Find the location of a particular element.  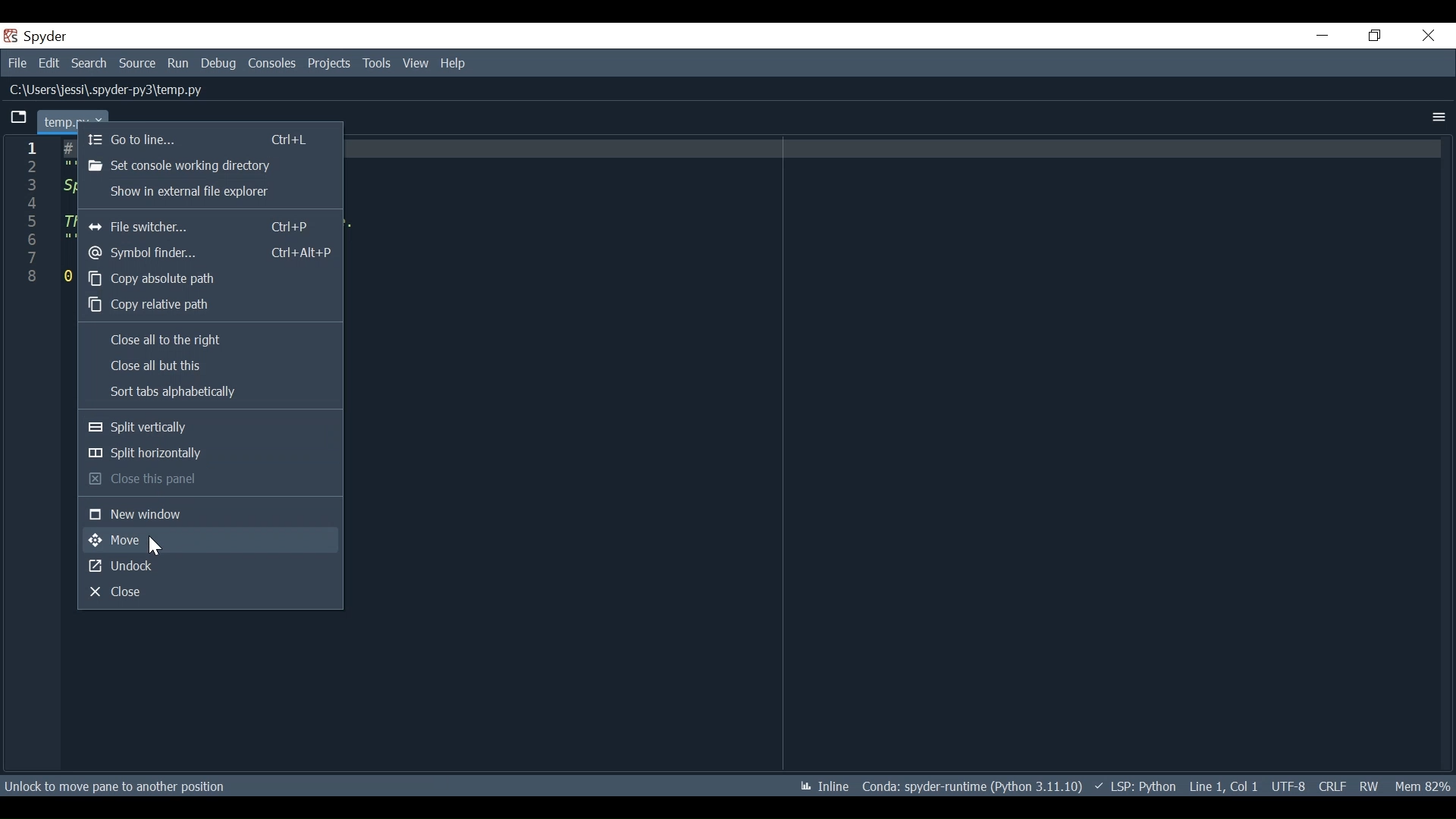

Line 1, Col 1 is located at coordinates (1223, 787).